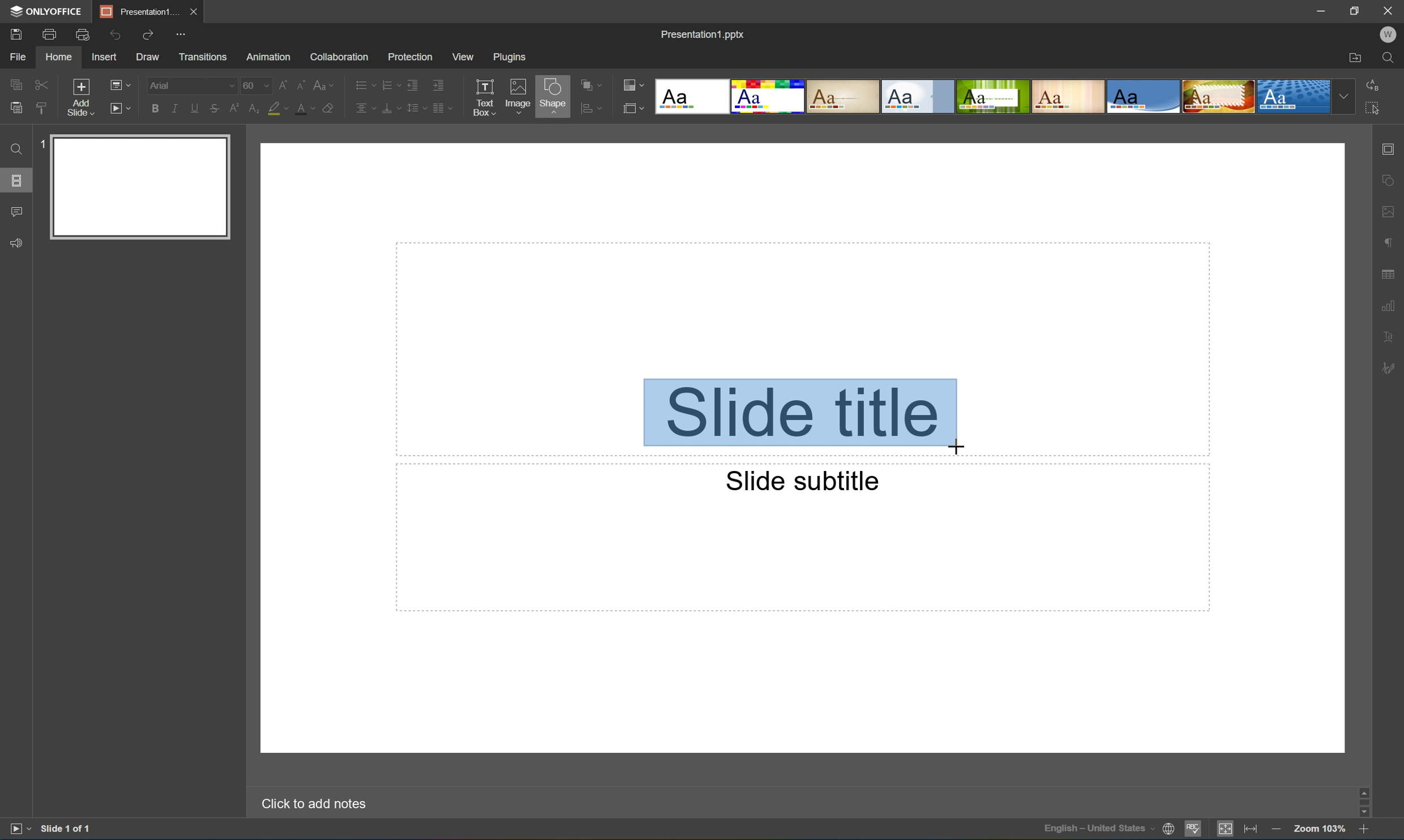  I want to click on Image, so click(515, 94).